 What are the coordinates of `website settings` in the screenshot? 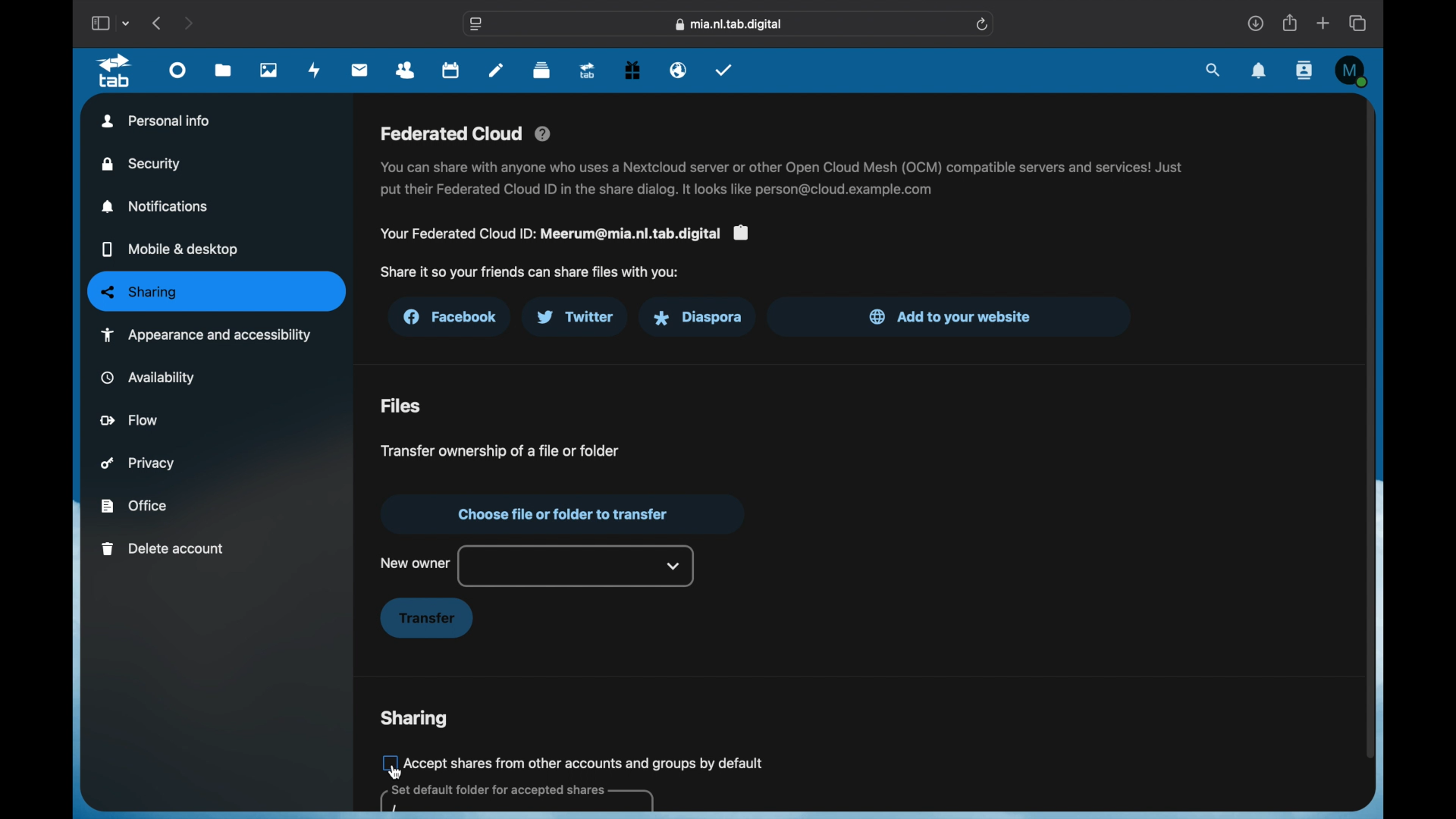 It's located at (477, 24).